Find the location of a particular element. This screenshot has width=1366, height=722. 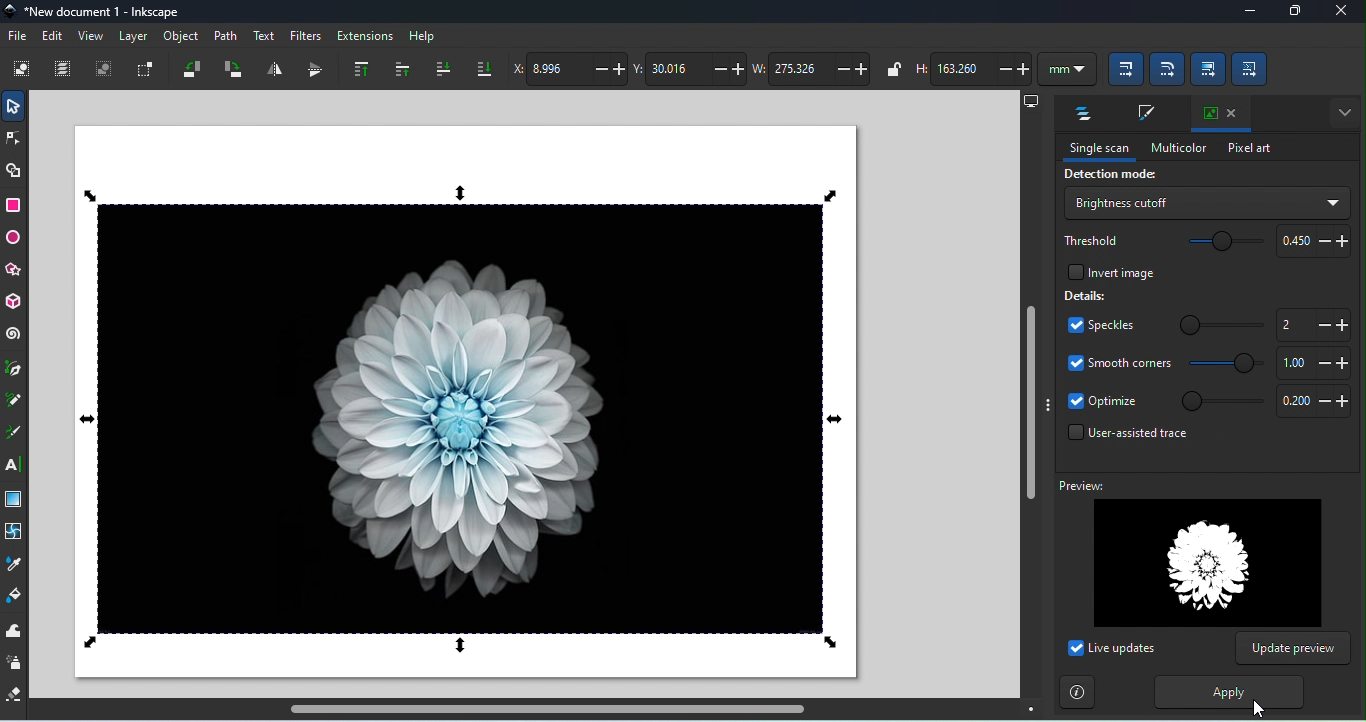

Smooth corners is located at coordinates (1313, 364).